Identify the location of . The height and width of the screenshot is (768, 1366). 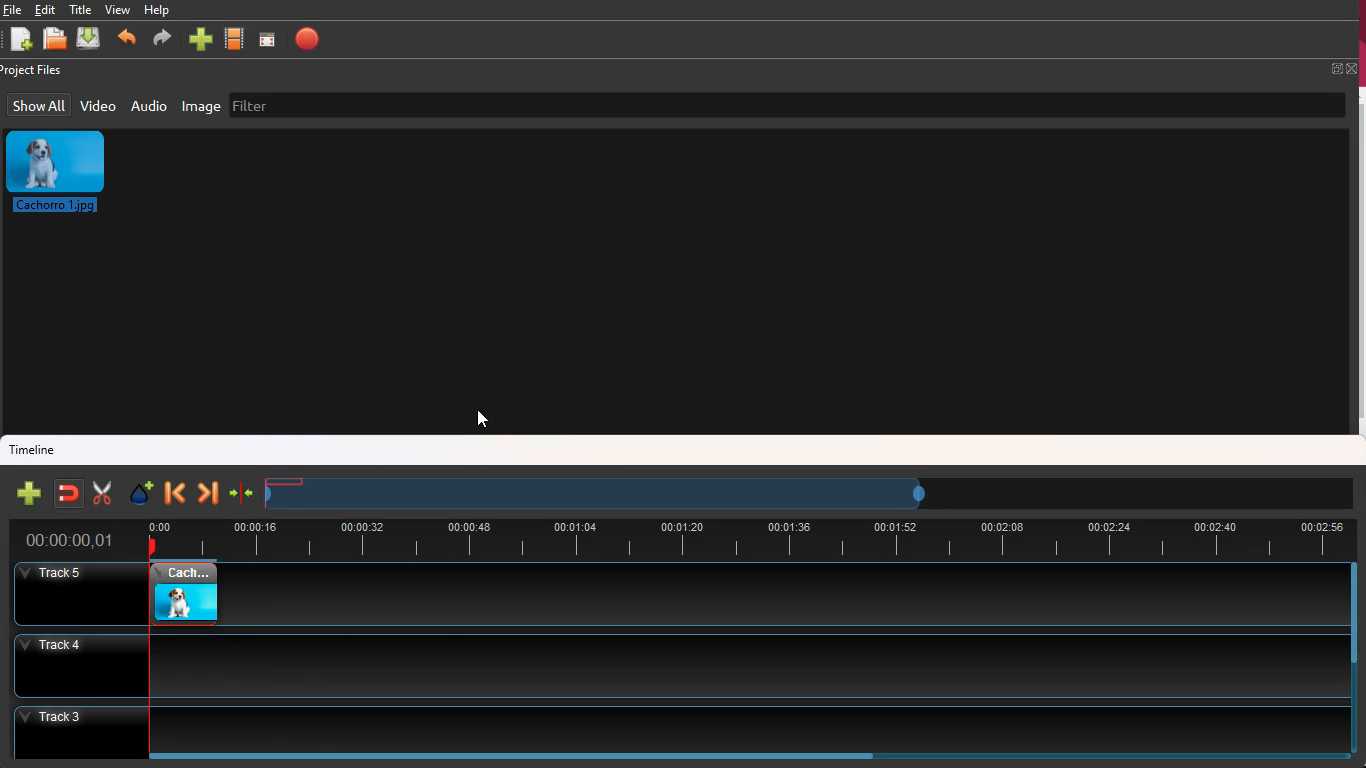
(483, 421).